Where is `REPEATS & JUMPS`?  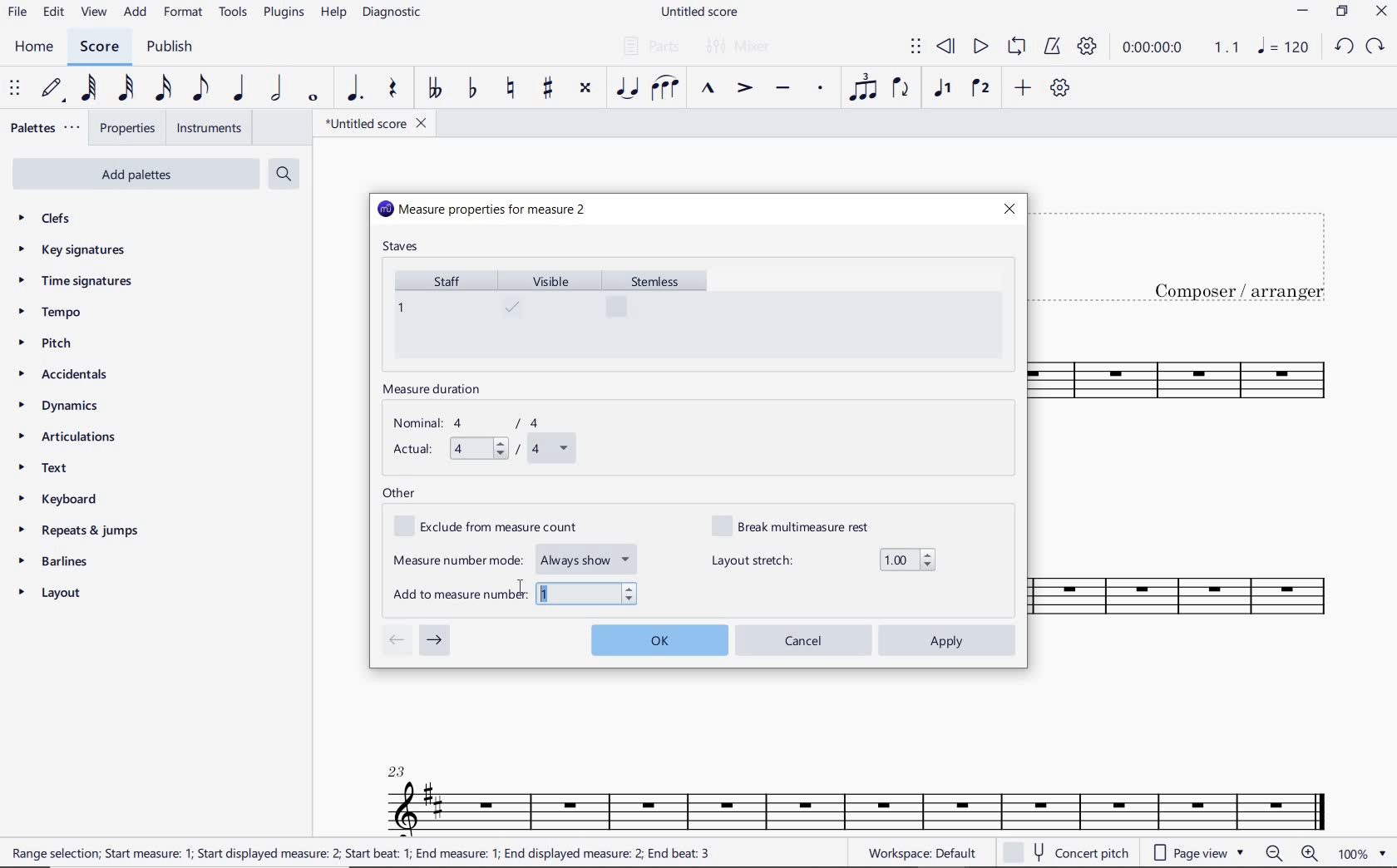
REPEATS & JUMPS is located at coordinates (79, 533).